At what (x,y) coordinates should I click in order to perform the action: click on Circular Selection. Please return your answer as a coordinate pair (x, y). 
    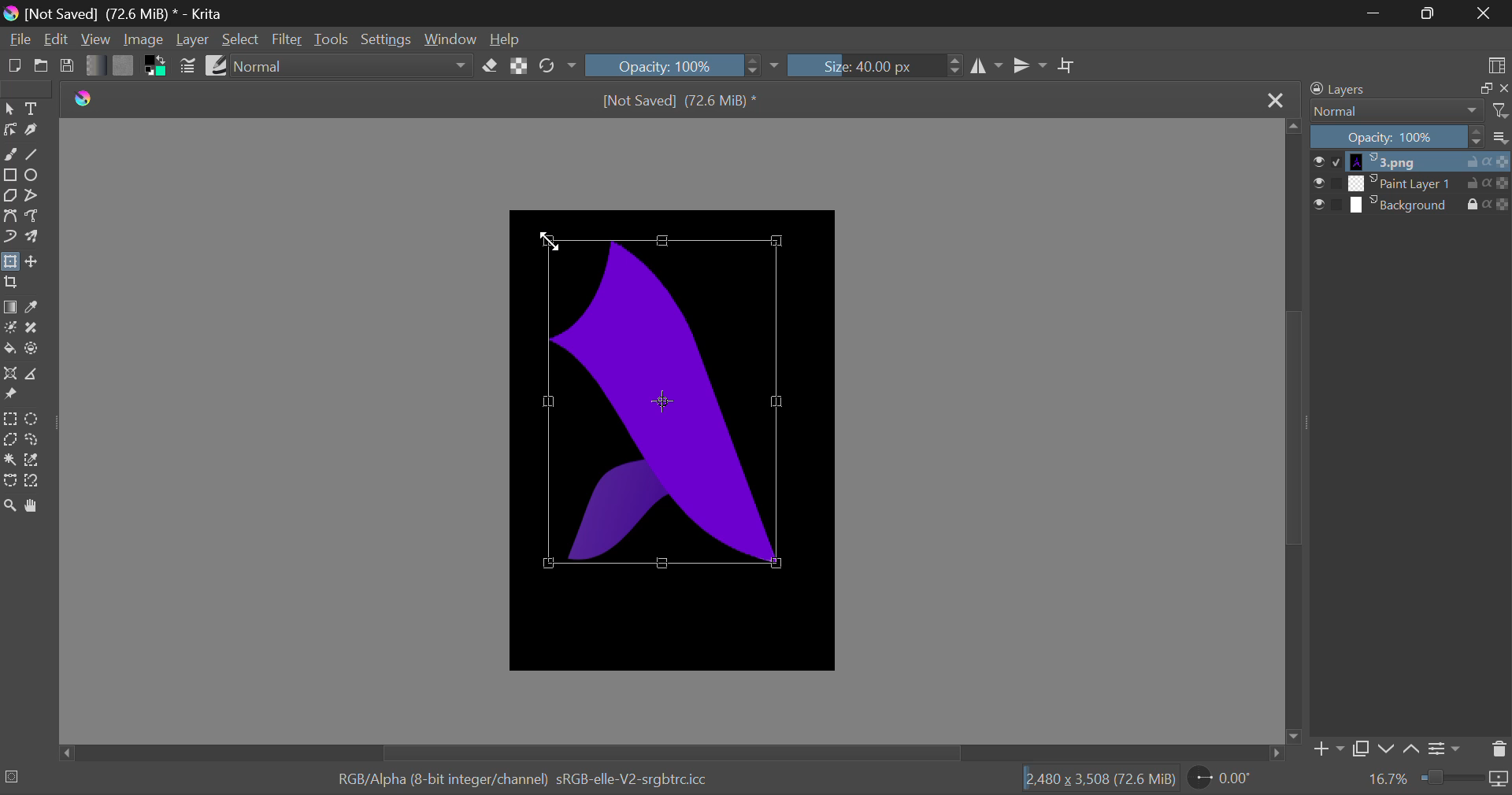
    Looking at the image, I should click on (33, 420).